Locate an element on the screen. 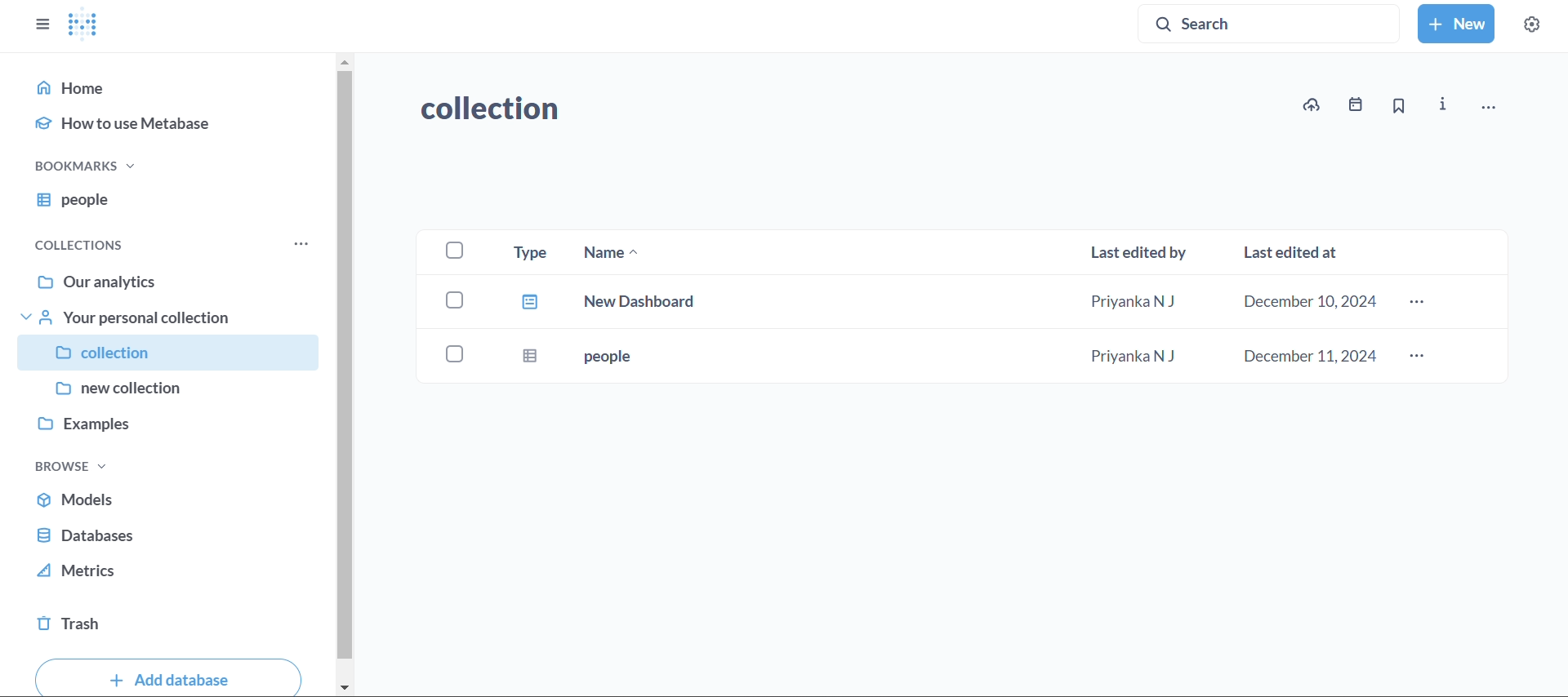 This screenshot has width=1568, height=697. bookmark is located at coordinates (1396, 107).